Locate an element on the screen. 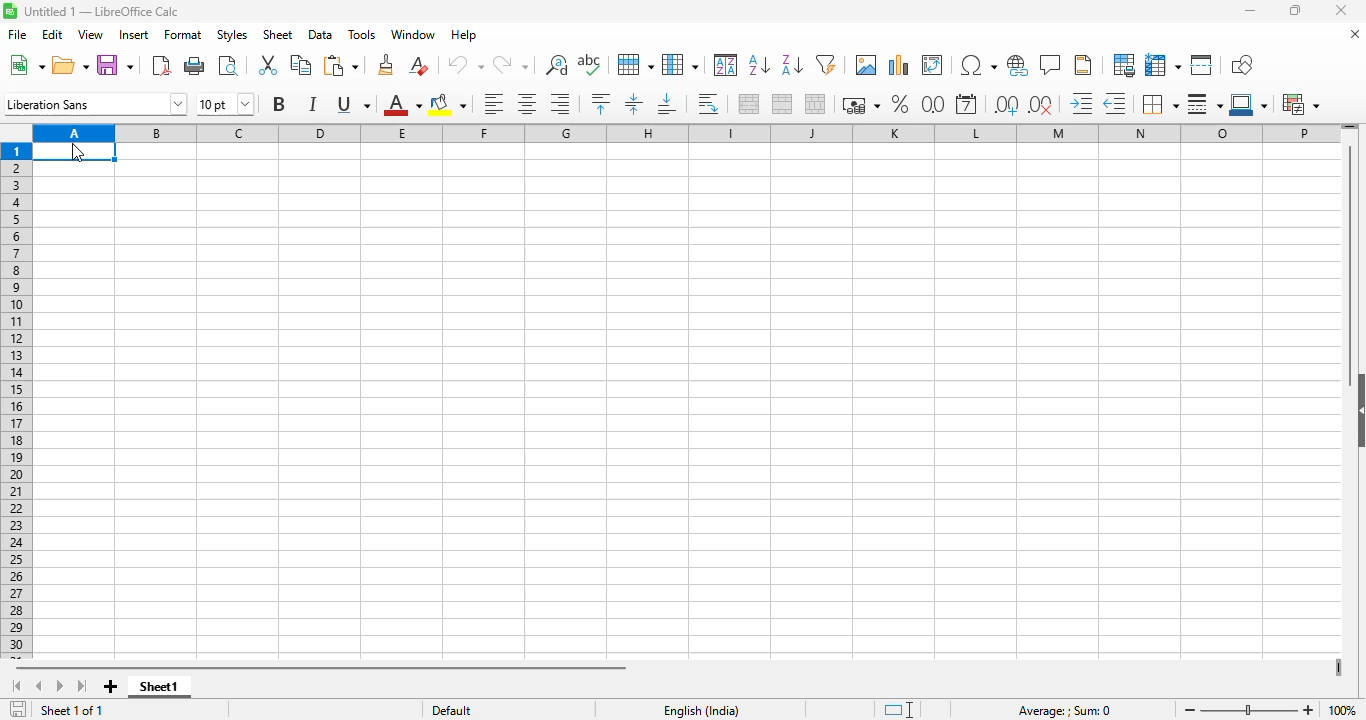  sheet1 is located at coordinates (160, 687).